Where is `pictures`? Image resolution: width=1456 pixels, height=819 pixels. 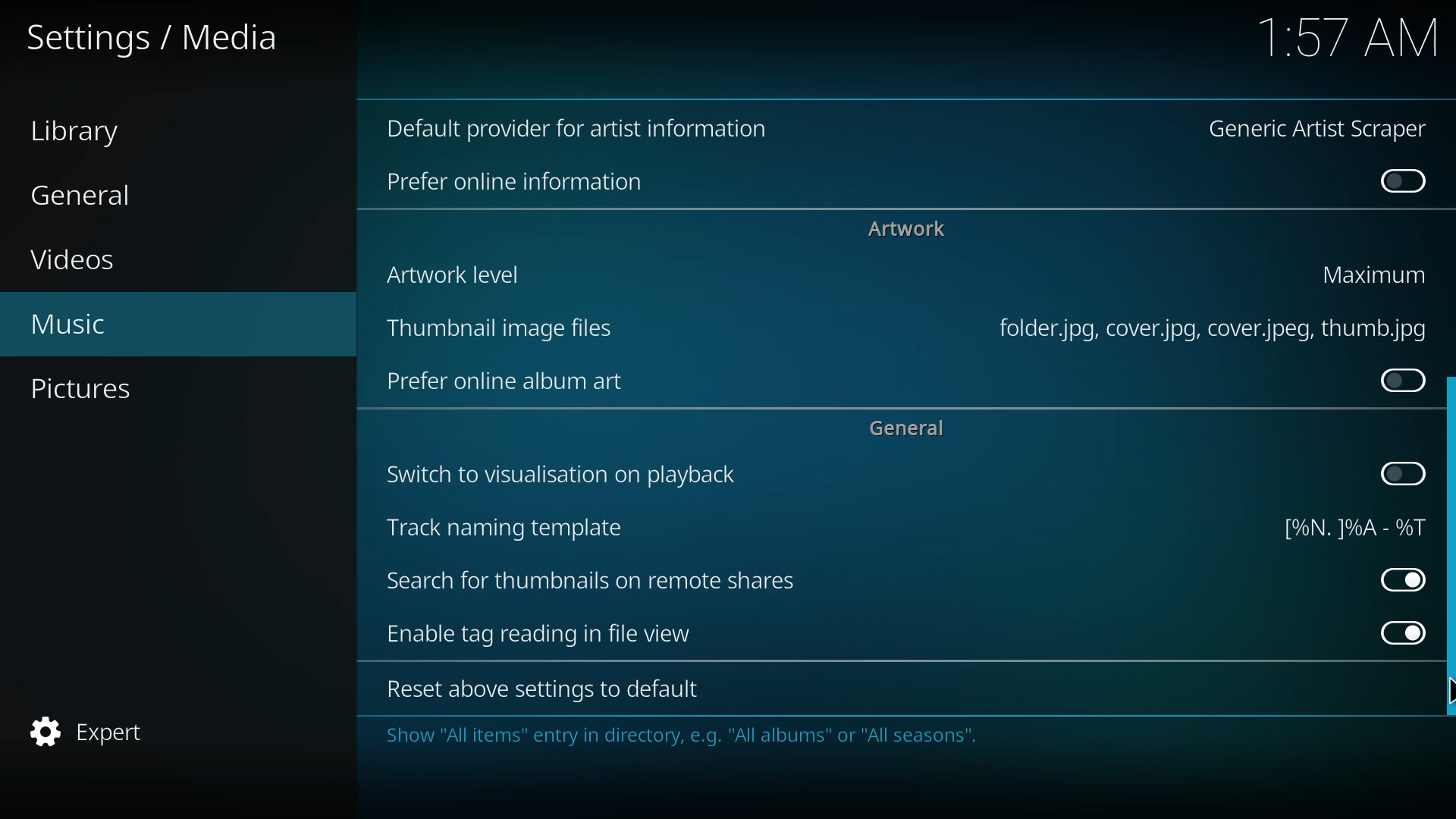 pictures is located at coordinates (89, 390).